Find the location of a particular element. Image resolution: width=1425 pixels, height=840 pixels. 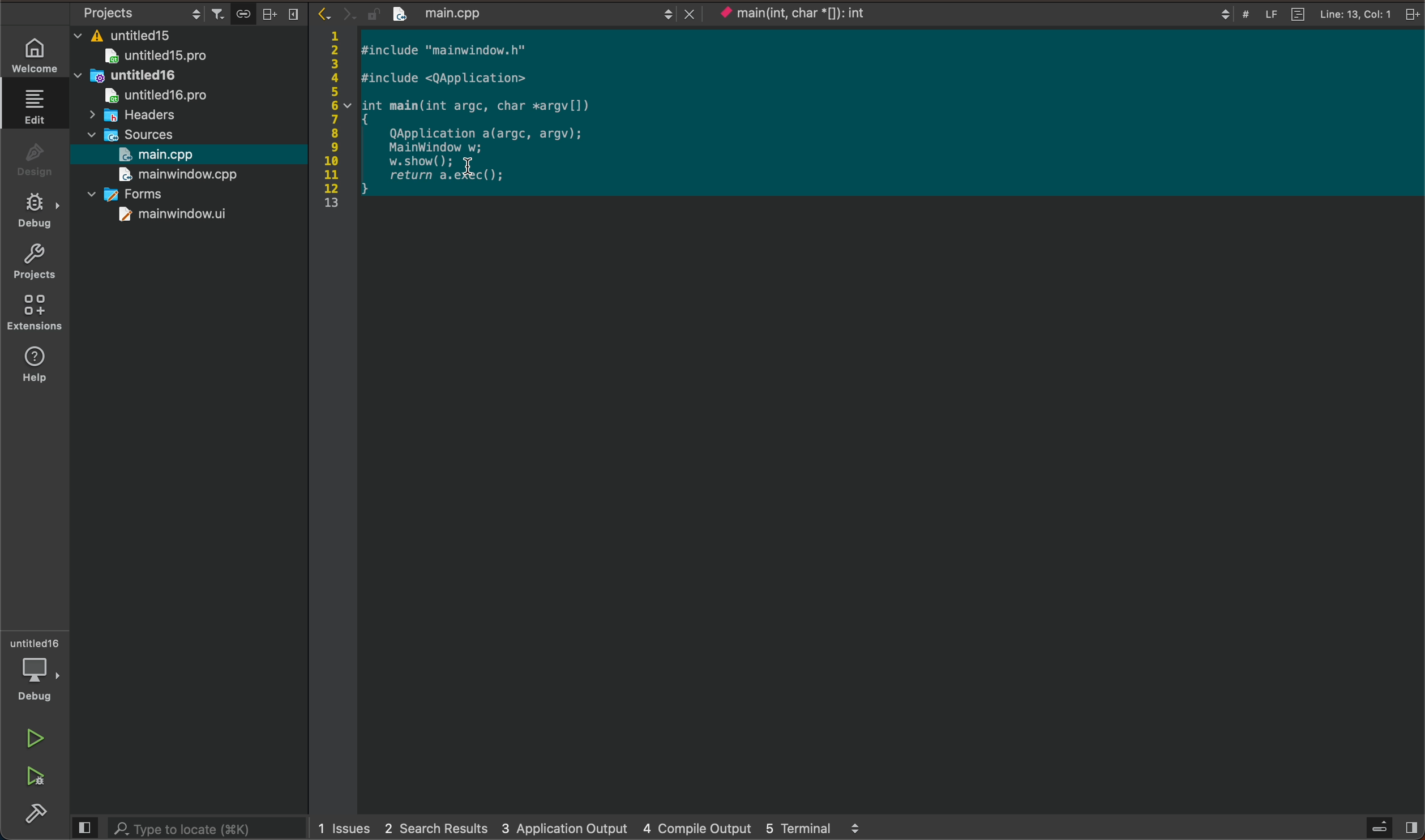

selected code is located at coordinates (891, 114).